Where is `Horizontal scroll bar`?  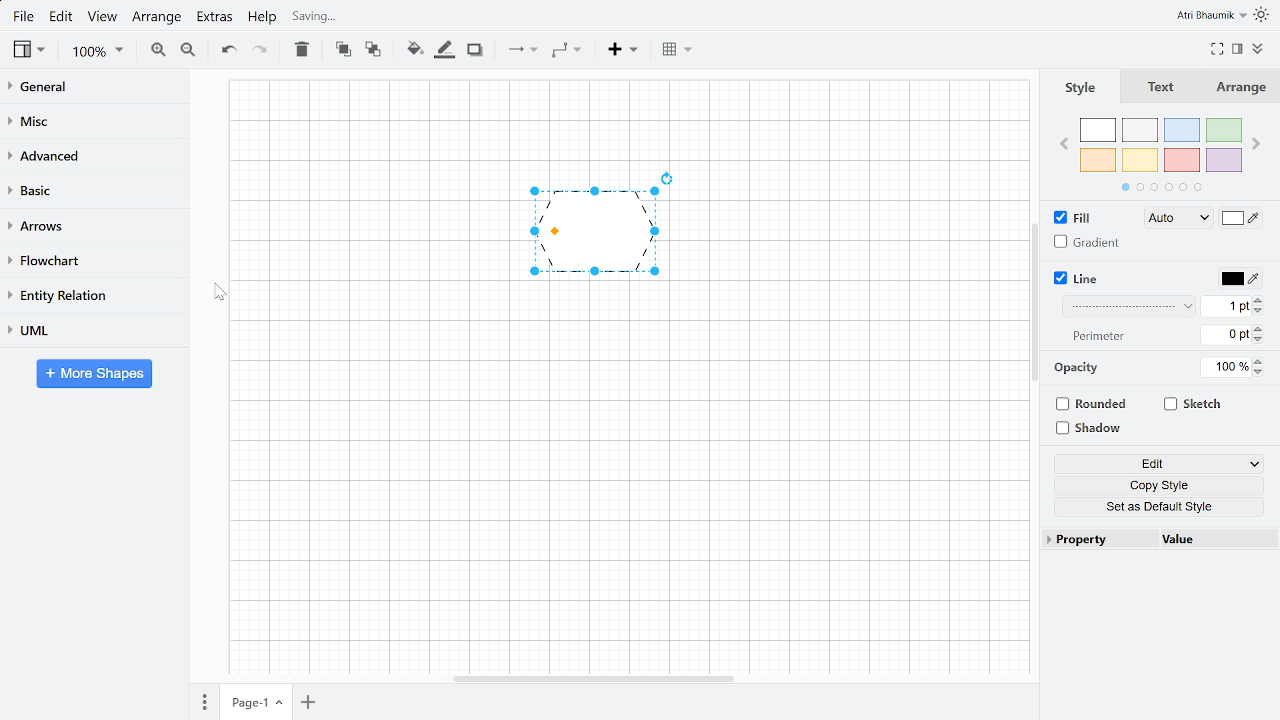 Horizontal scroll bar is located at coordinates (594, 679).